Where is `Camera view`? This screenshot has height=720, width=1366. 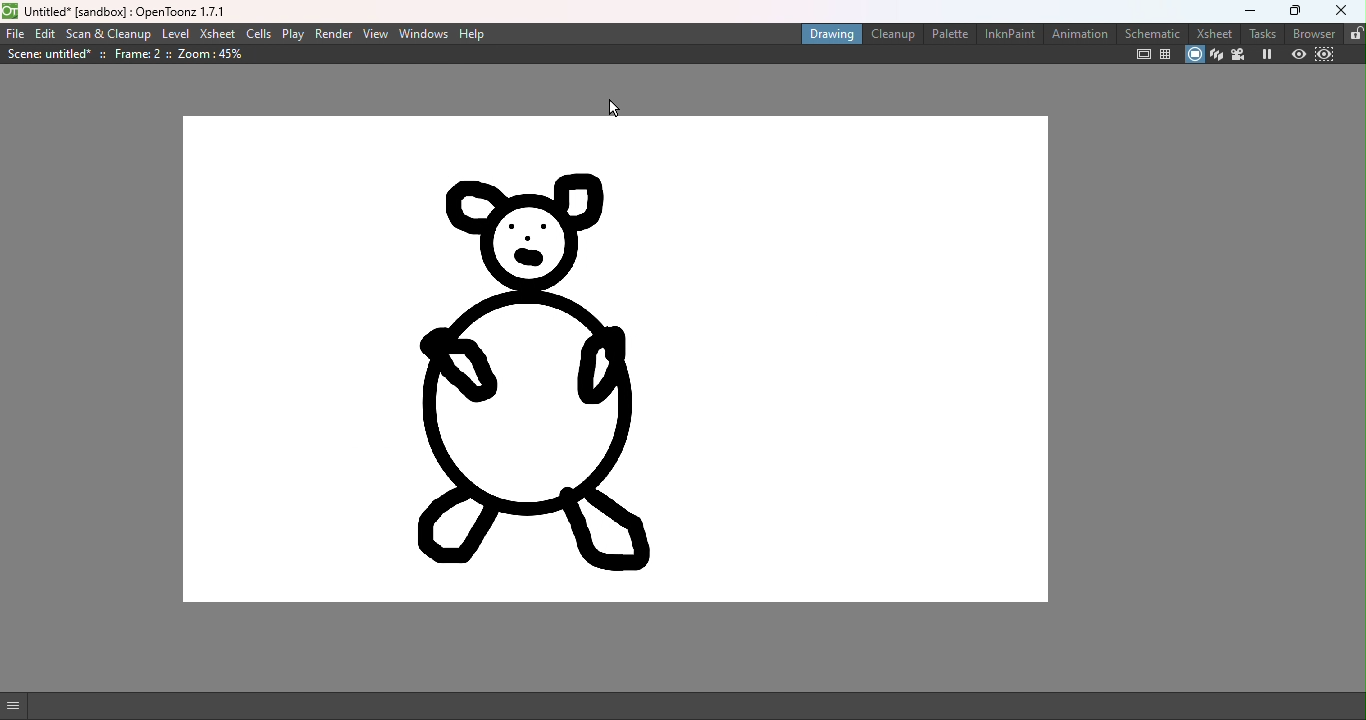 Camera view is located at coordinates (1240, 53).